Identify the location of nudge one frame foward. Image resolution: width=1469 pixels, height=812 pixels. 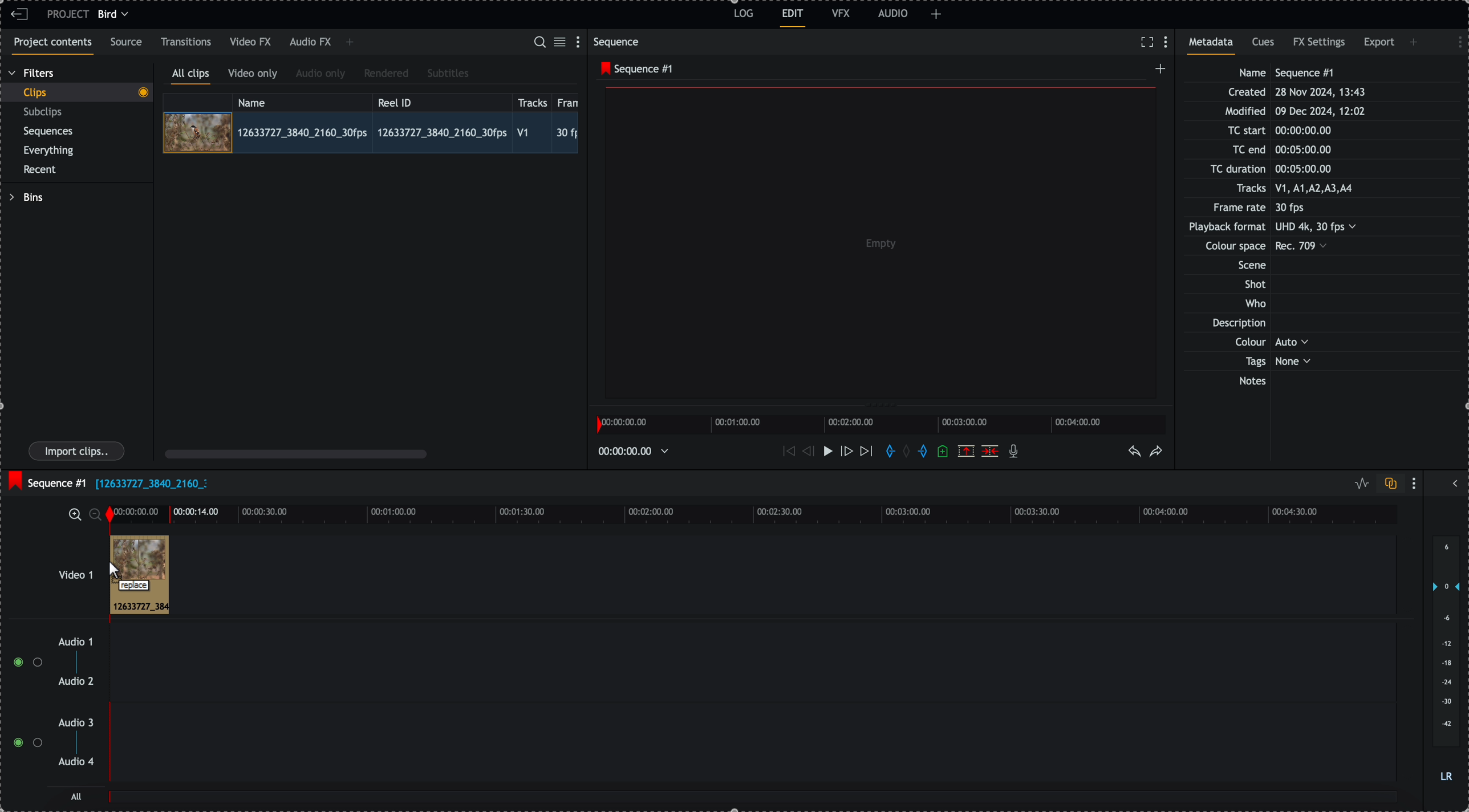
(846, 452).